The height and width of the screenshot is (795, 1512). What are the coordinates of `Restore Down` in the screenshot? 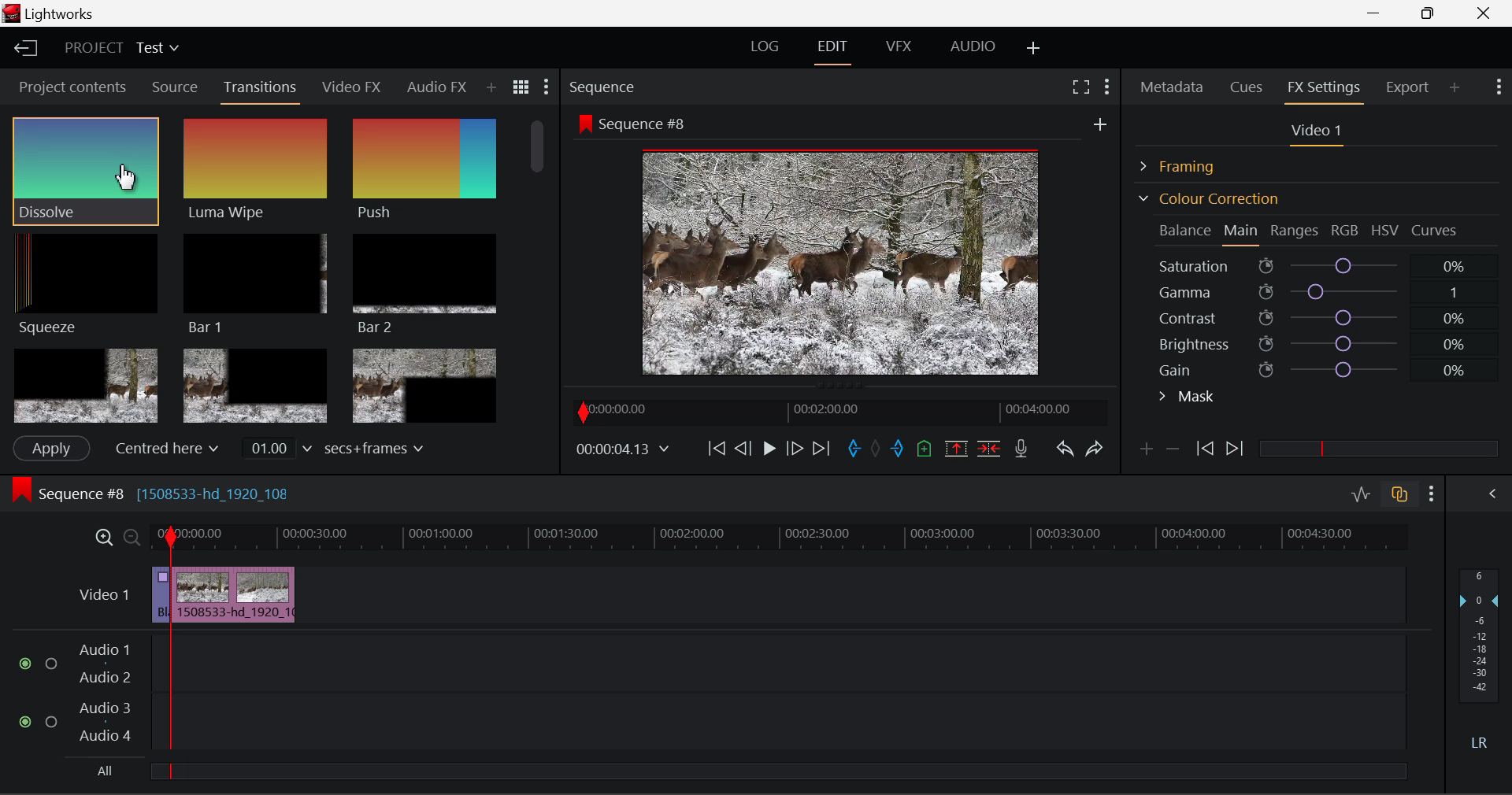 It's located at (1379, 13).